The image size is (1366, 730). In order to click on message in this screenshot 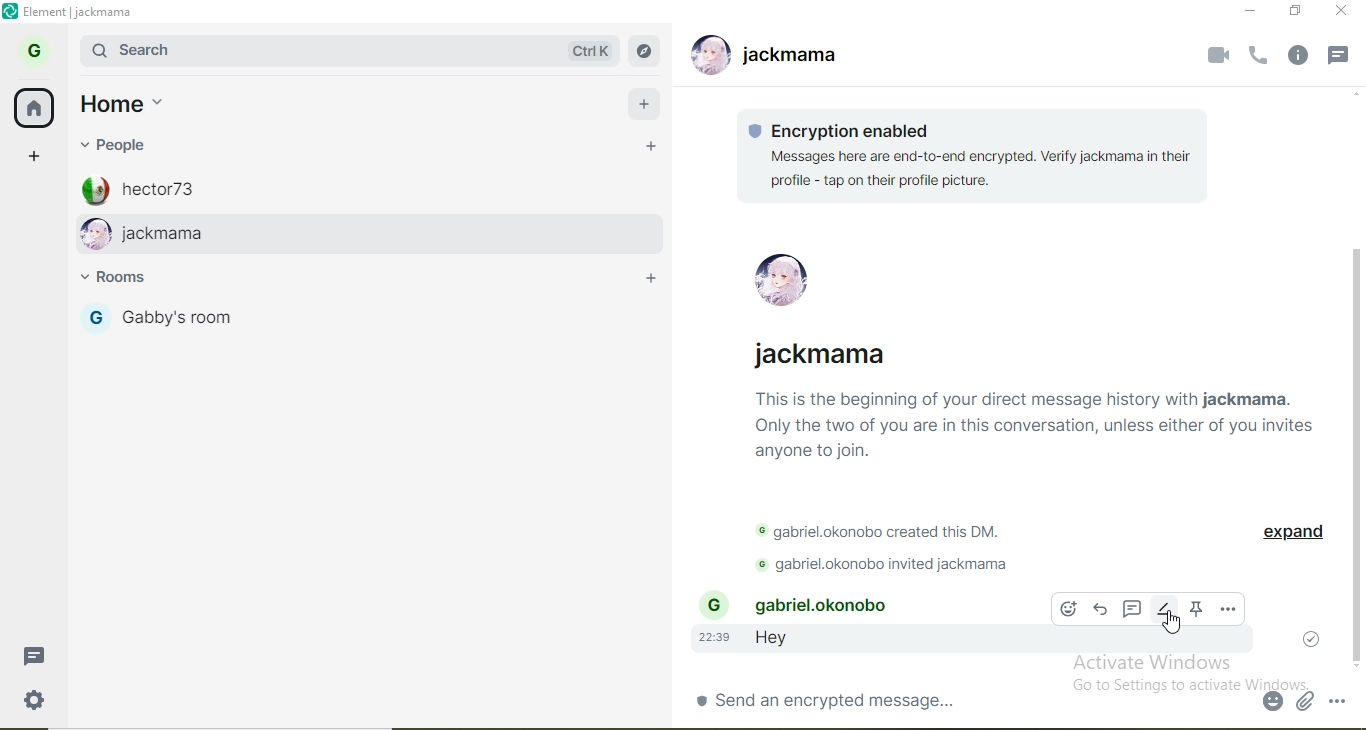, I will do `click(33, 657)`.